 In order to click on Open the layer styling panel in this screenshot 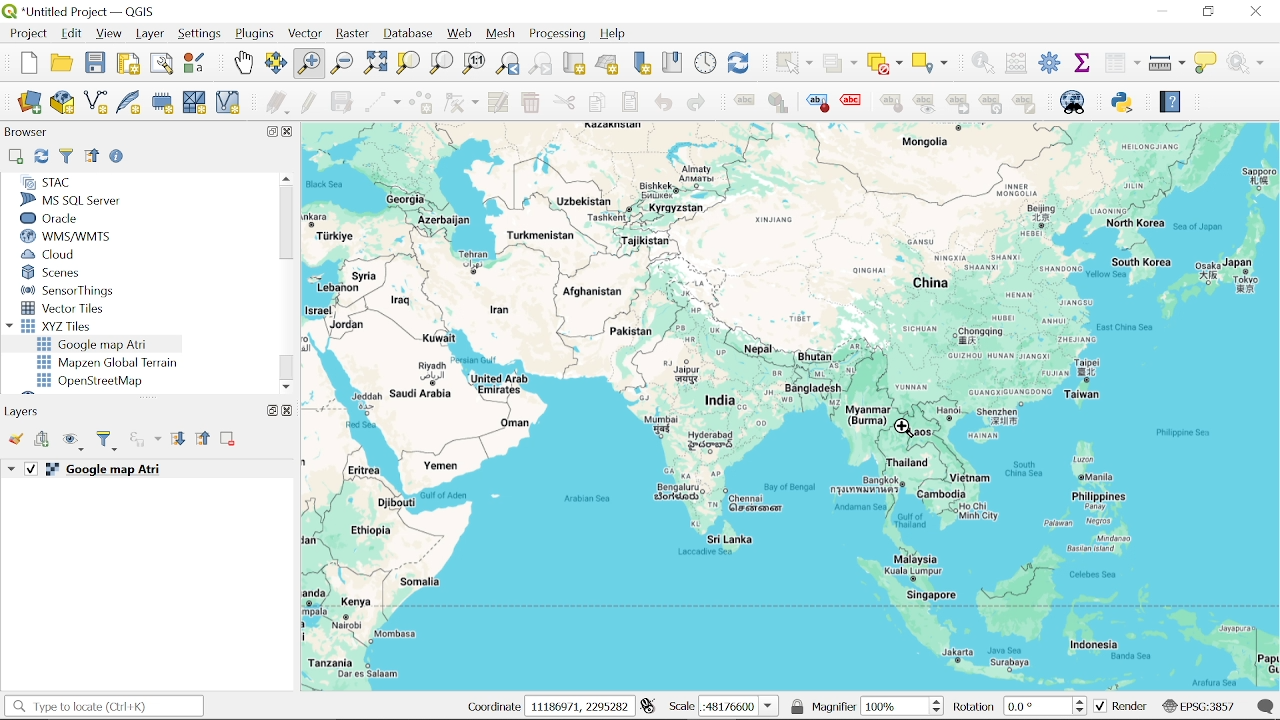, I will do `click(18, 440)`.